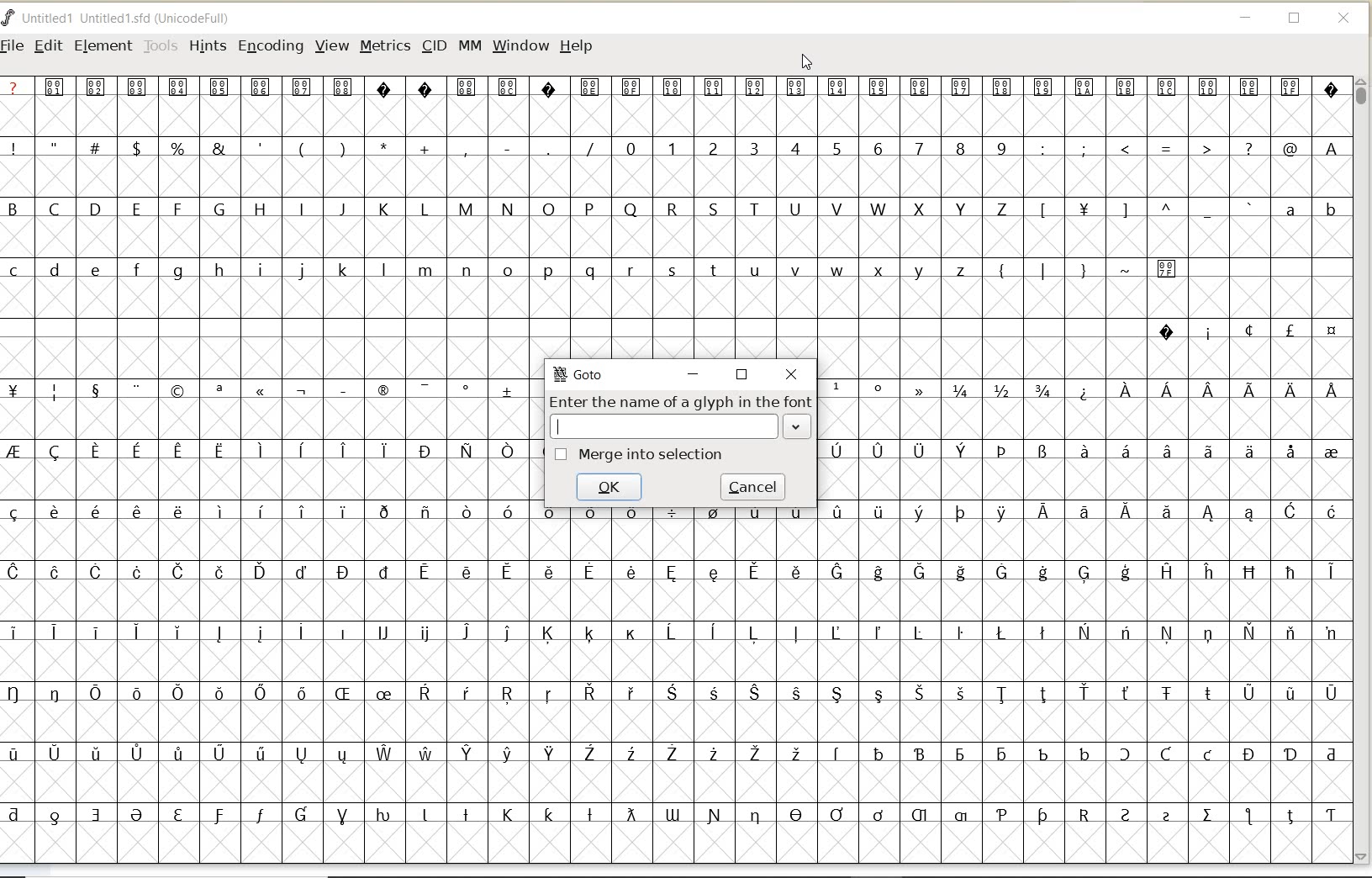 Image resolution: width=1372 pixels, height=878 pixels. What do you see at coordinates (520, 45) in the screenshot?
I see `WINDOW` at bounding box center [520, 45].